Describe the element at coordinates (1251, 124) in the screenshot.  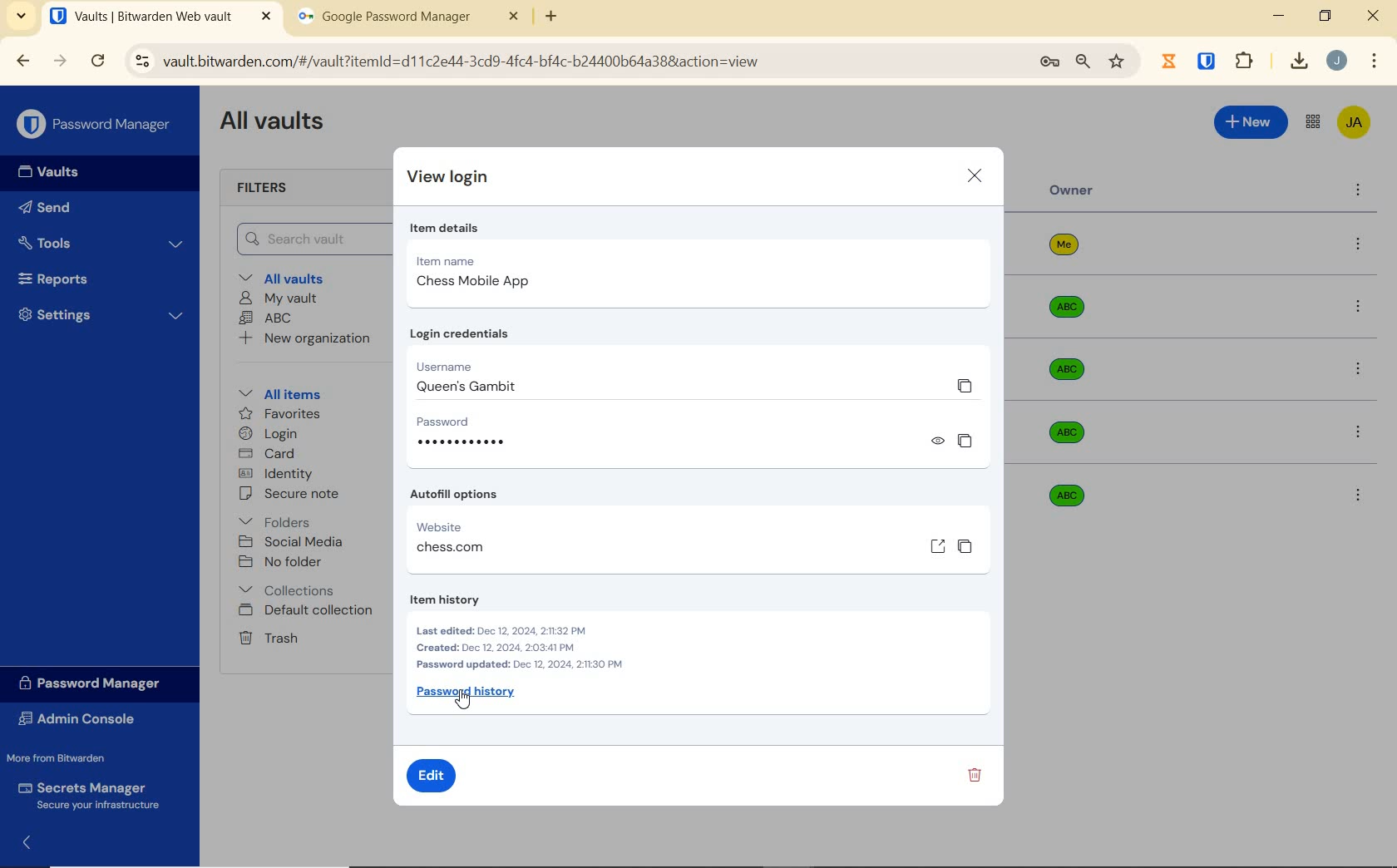
I see `New` at that location.